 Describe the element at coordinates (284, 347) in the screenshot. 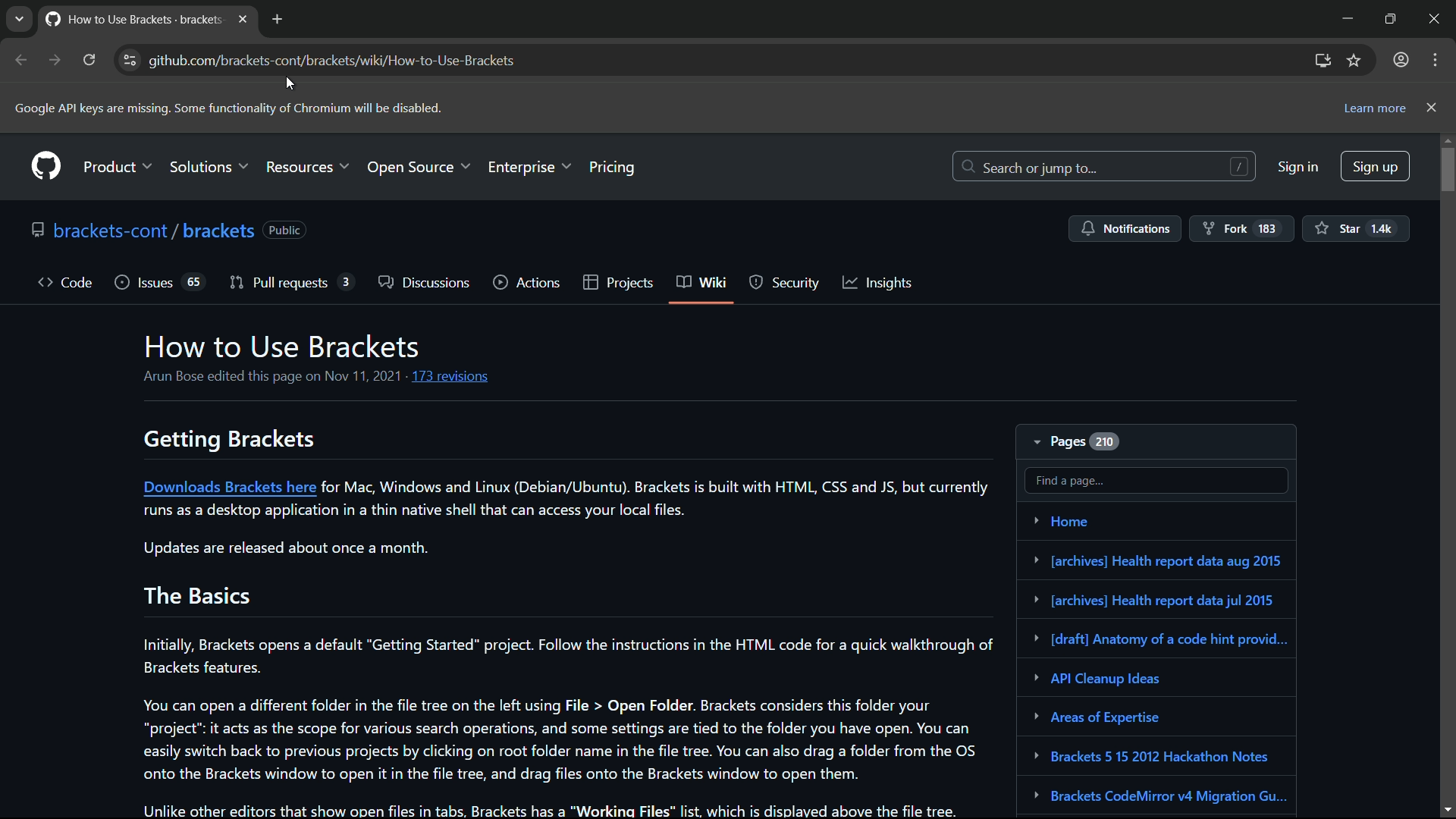

I see `how to use brackets` at that location.